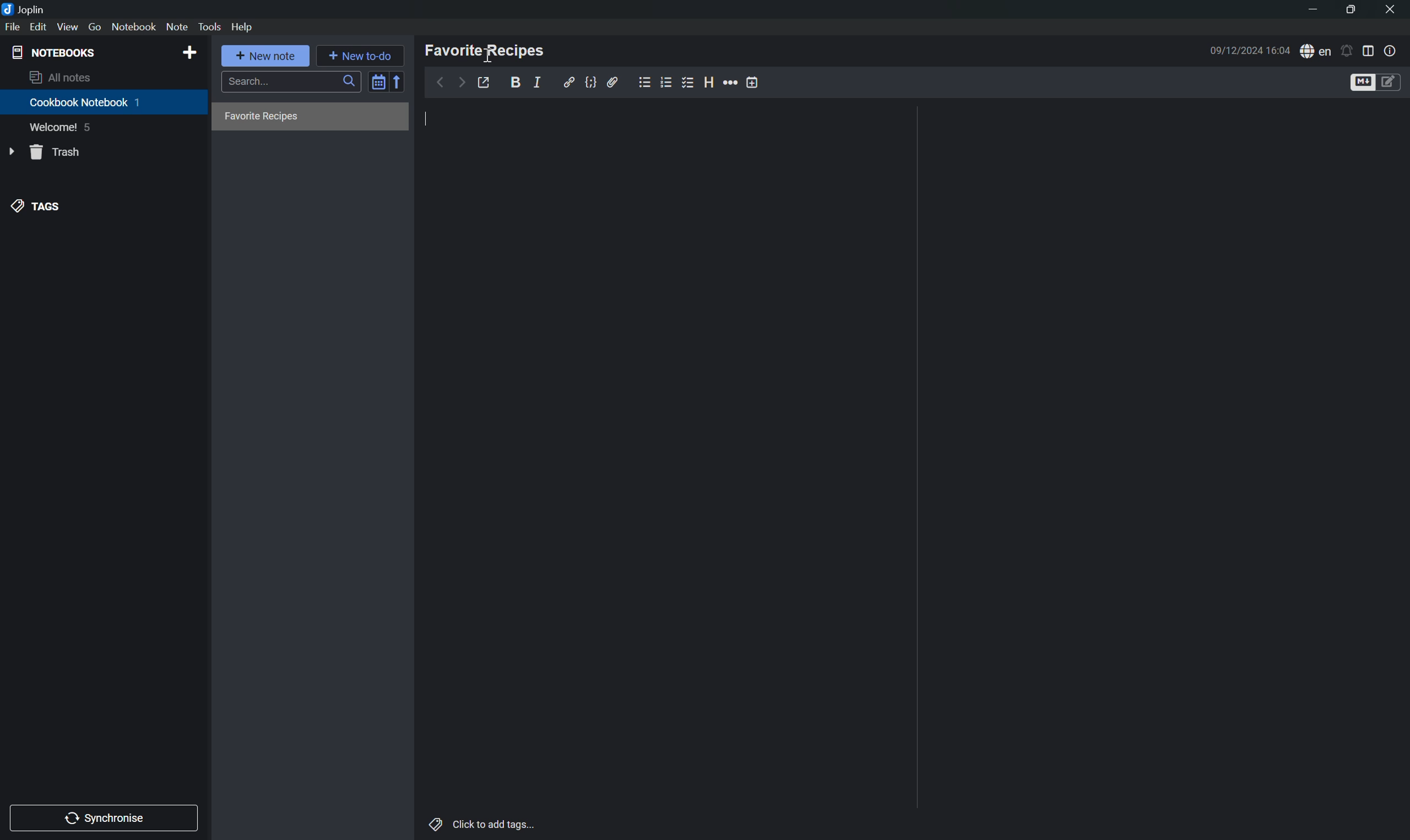 This screenshot has width=1410, height=840. What do you see at coordinates (1349, 50) in the screenshot?
I see `Set alarm` at bounding box center [1349, 50].